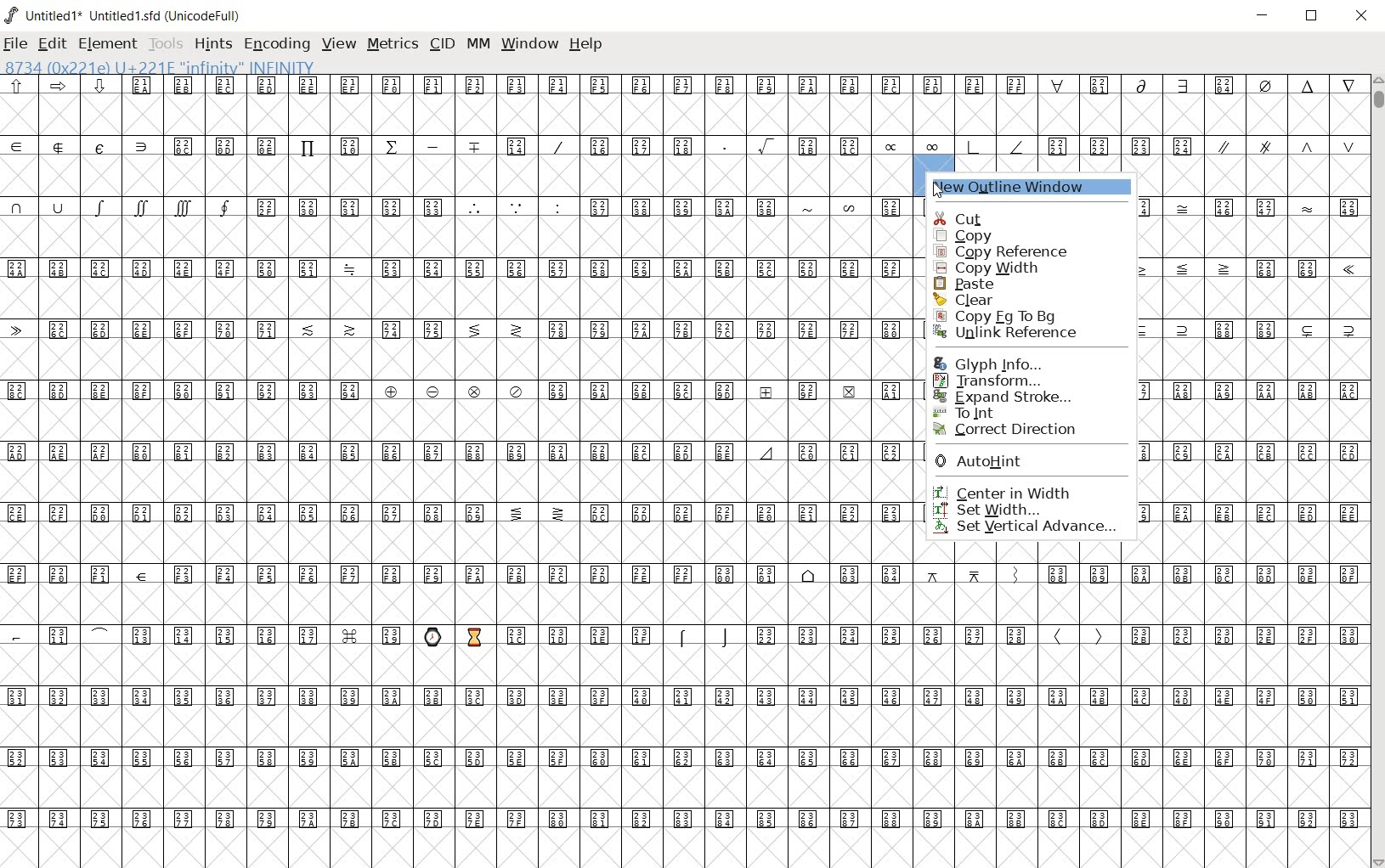  I want to click on empty glyph slots, so click(463, 482).